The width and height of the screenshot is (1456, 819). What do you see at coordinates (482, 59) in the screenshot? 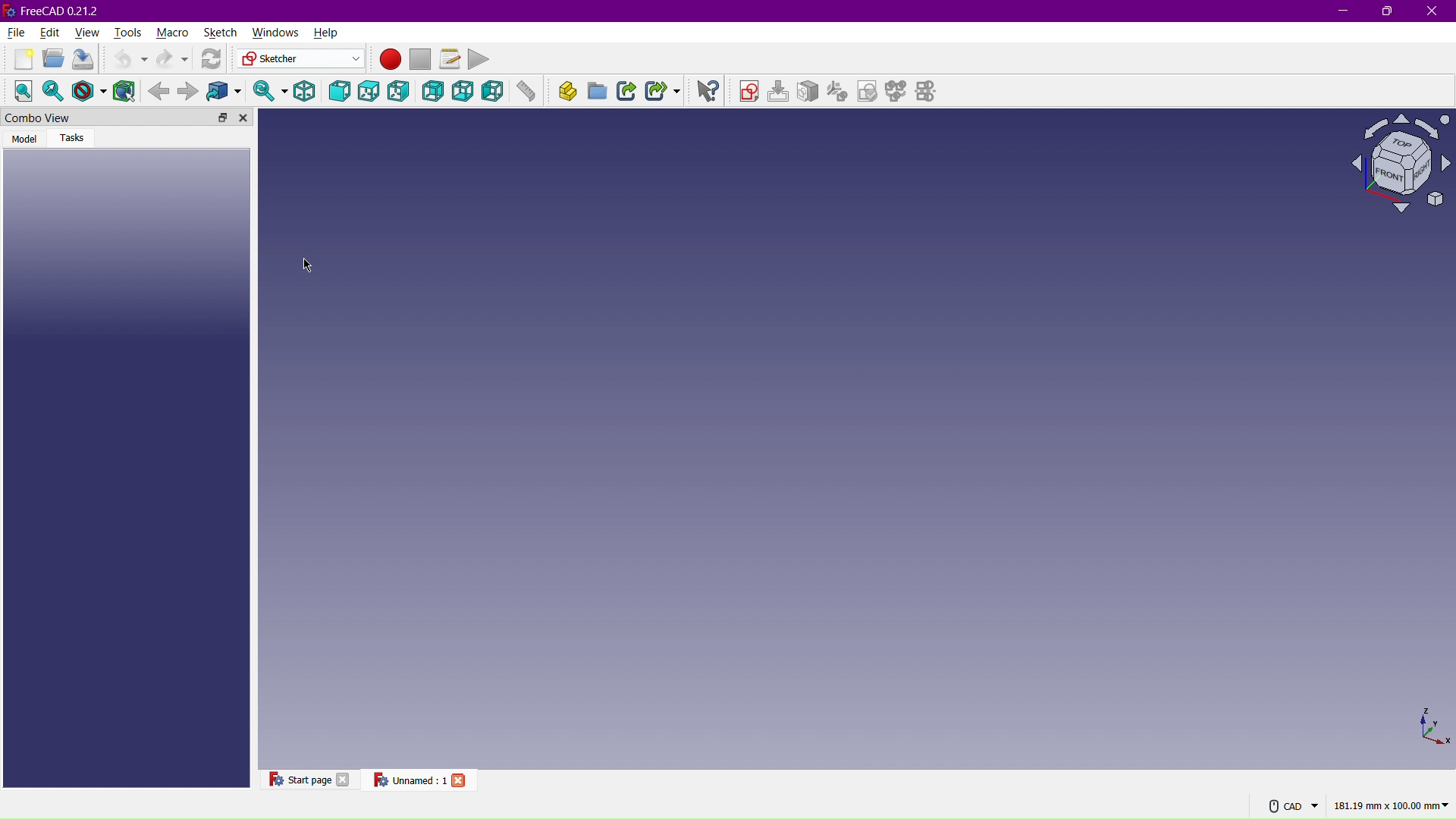
I see `Play macro` at bounding box center [482, 59].